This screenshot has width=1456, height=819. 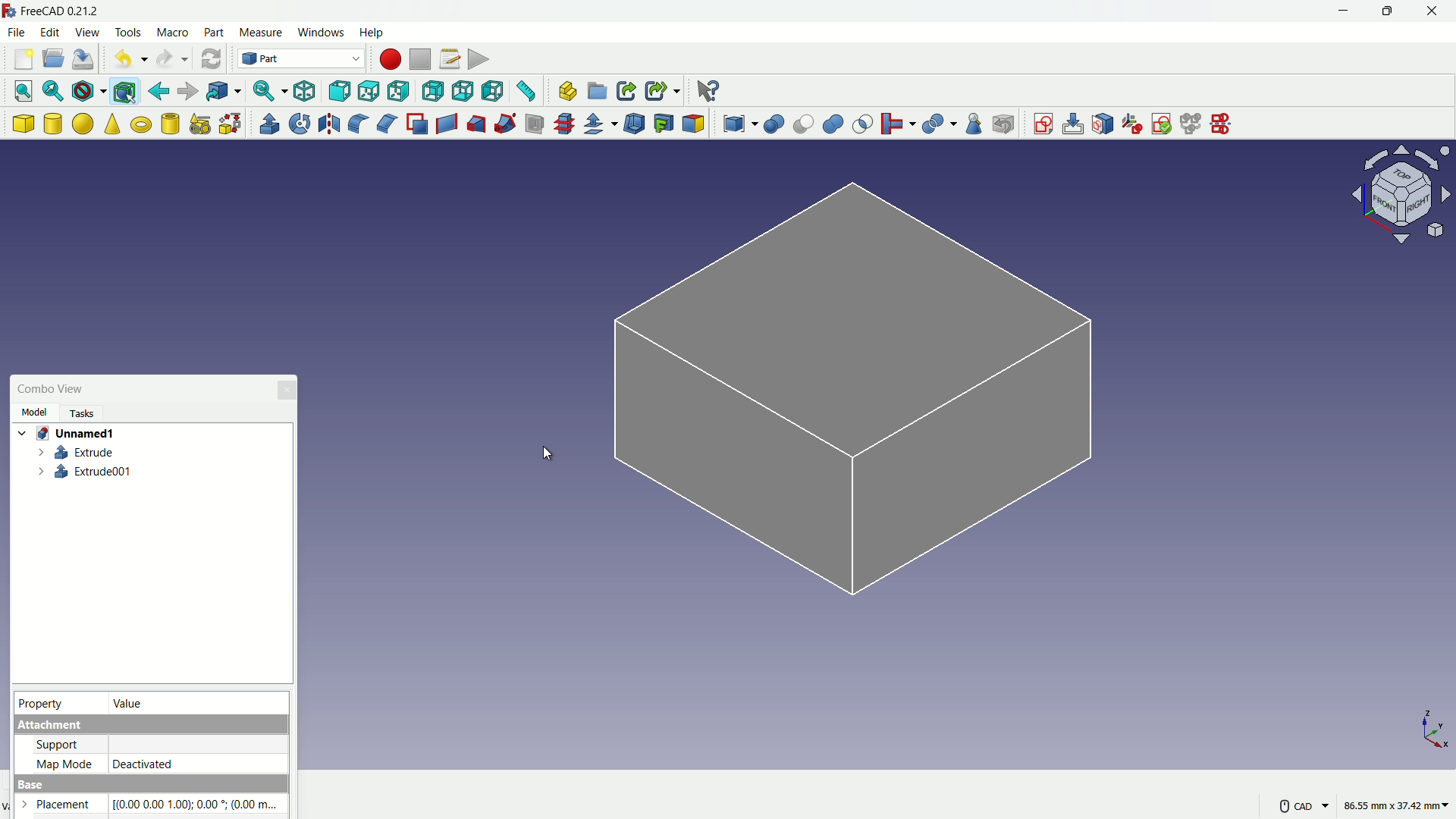 I want to click on make face from wires, so click(x=418, y=124).